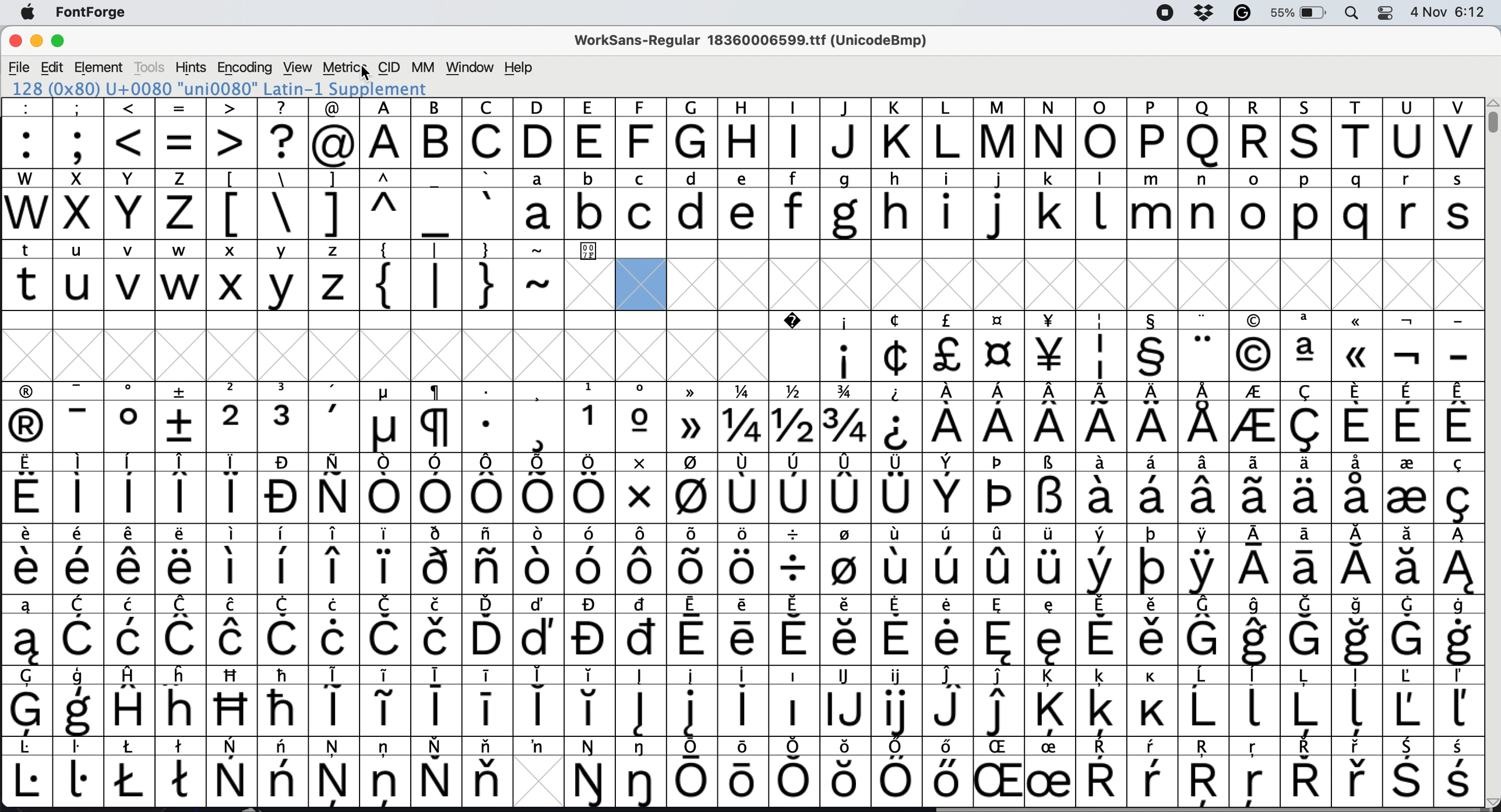 This screenshot has width=1501, height=812. Describe the element at coordinates (997, 211) in the screenshot. I see `lowercase letters` at that location.